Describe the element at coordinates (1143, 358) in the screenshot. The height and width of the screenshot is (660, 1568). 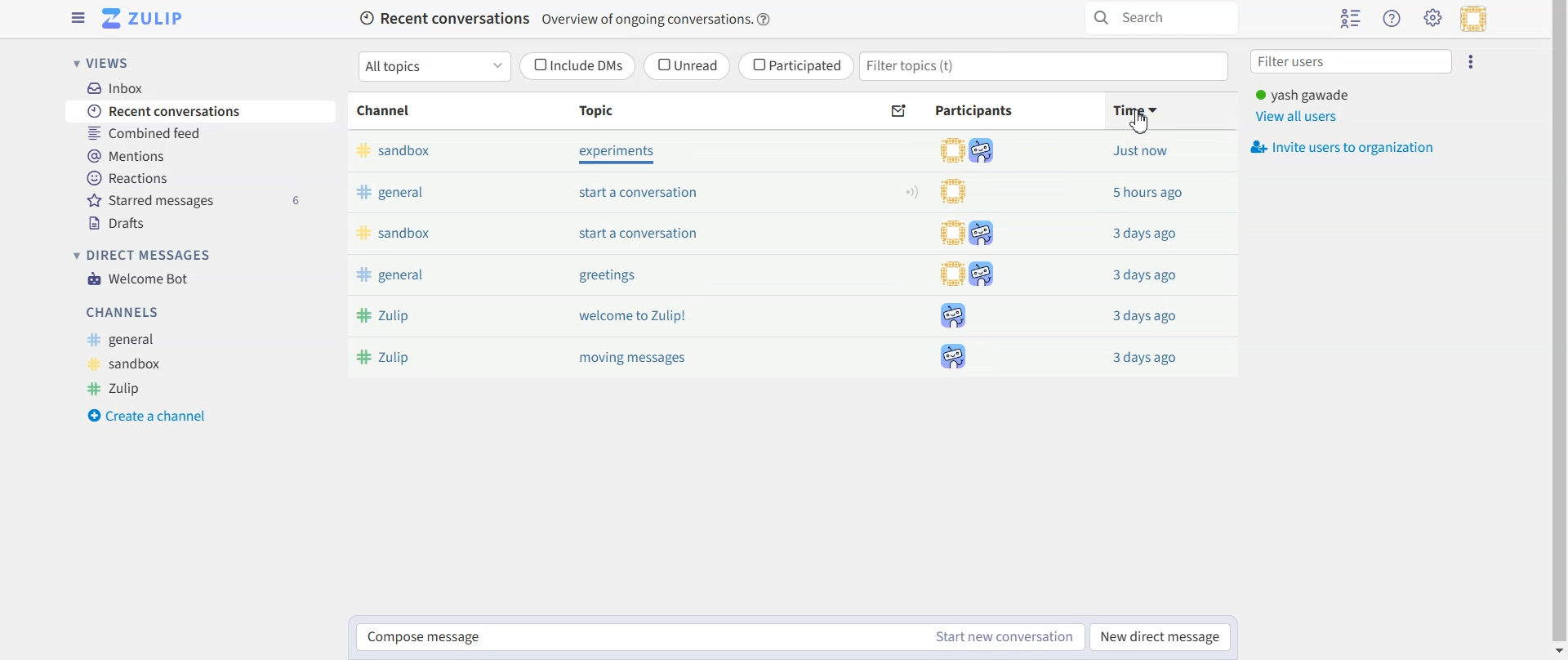
I see `Just now` at that location.